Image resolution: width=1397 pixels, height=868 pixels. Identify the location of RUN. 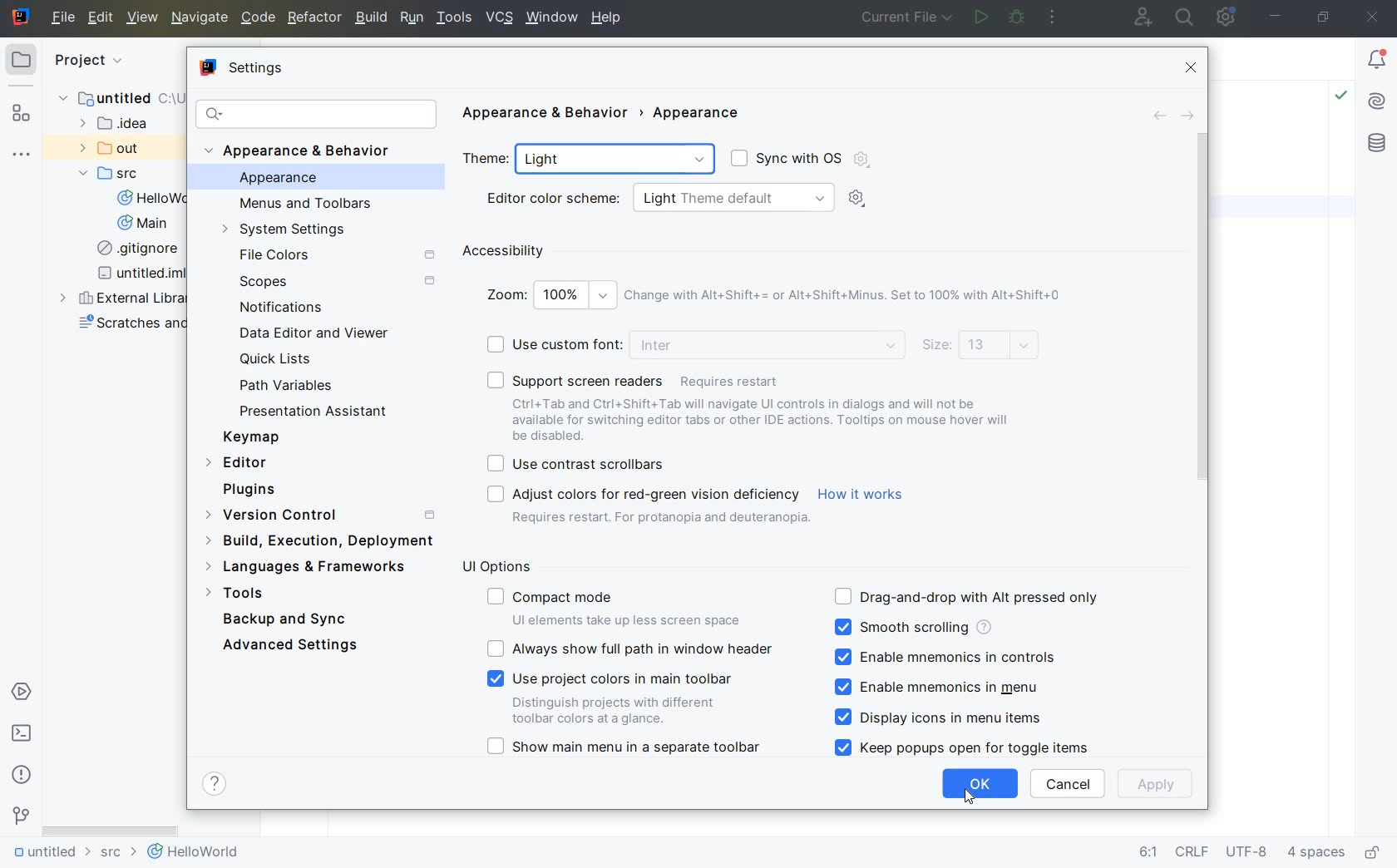
(979, 18).